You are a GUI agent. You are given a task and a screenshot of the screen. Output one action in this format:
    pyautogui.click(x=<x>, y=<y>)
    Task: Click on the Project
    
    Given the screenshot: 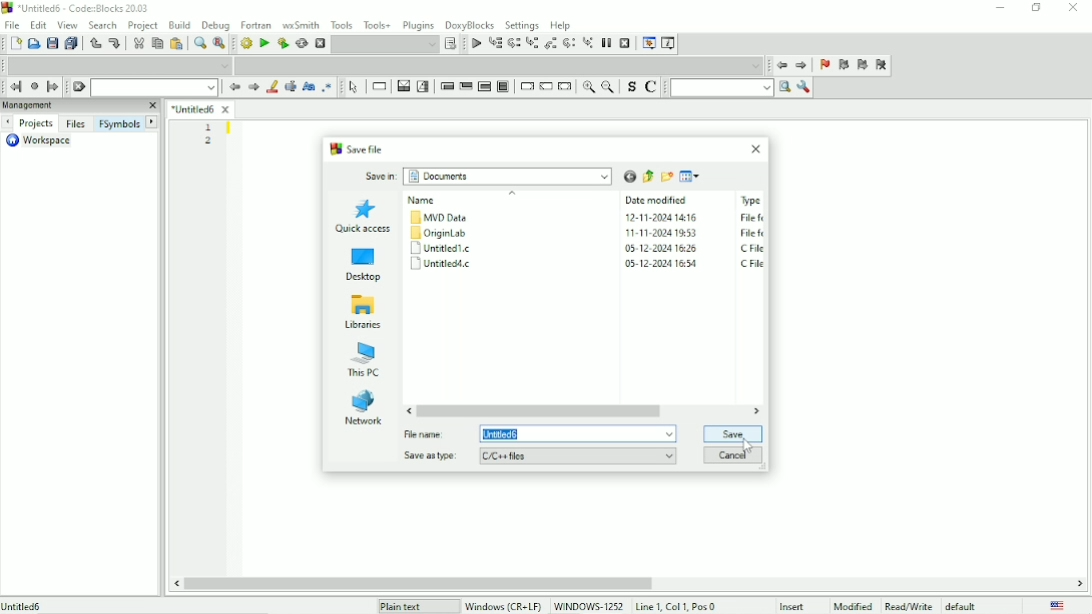 What is the action you would take?
    pyautogui.click(x=143, y=25)
    